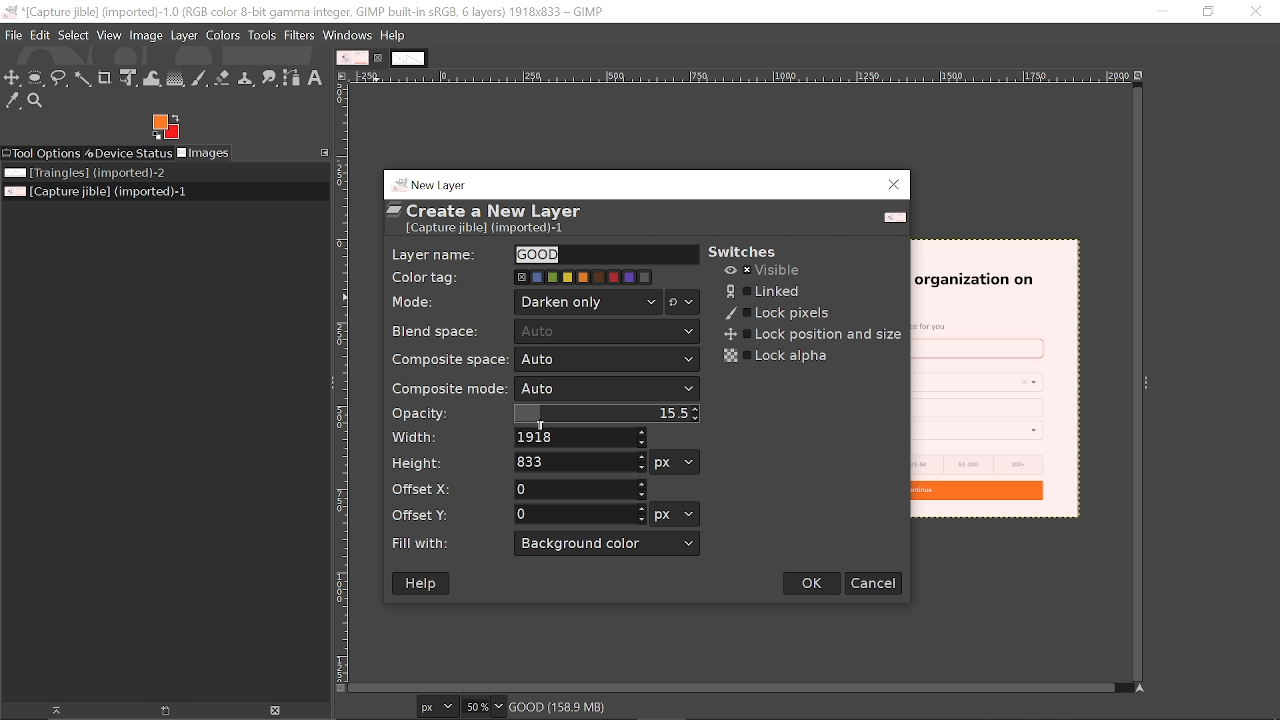  Describe the element at coordinates (580, 513) in the screenshot. I see `offset Y` at that location.